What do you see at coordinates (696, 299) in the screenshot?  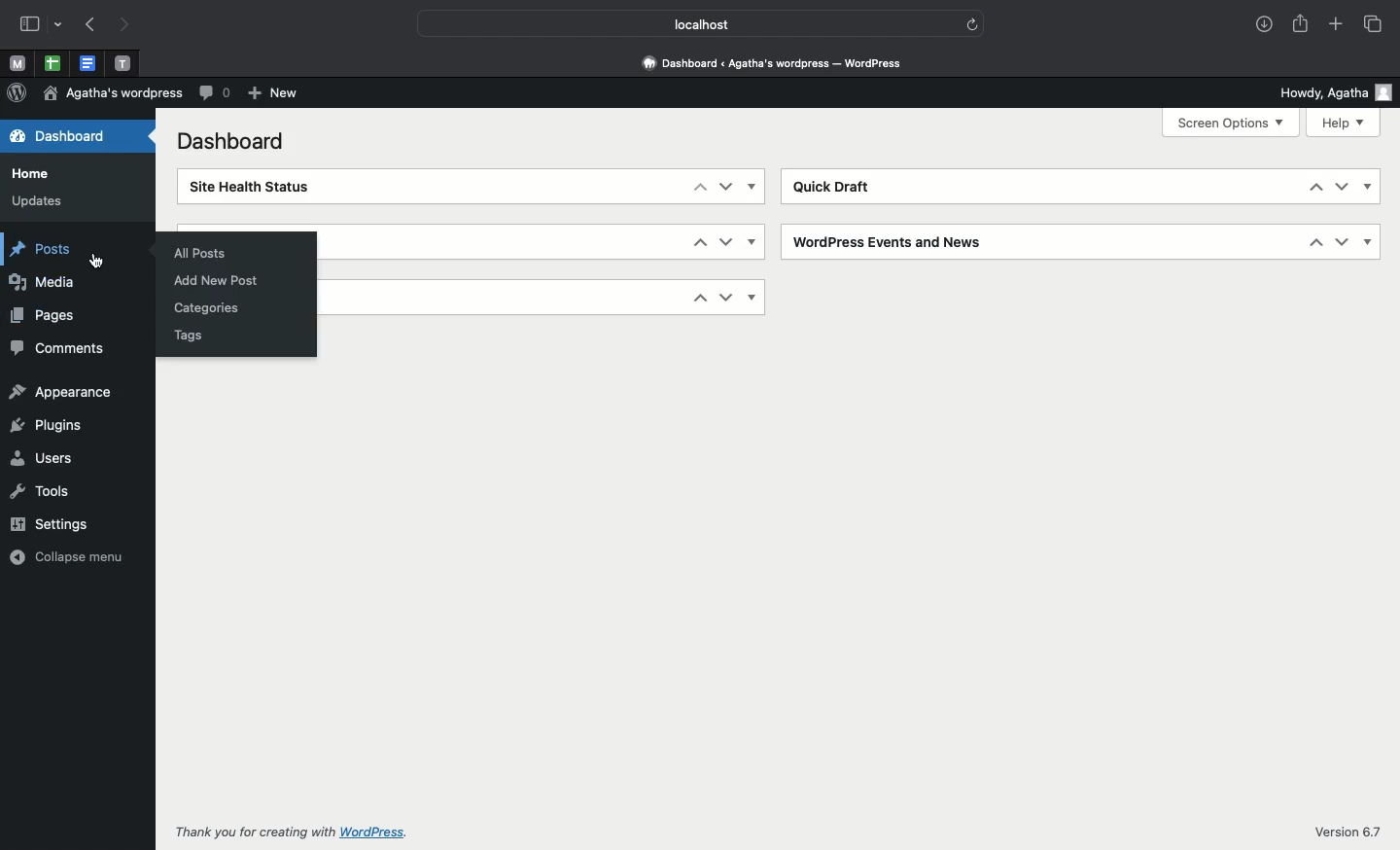 I see `Up` at bounding box center [696, 299].